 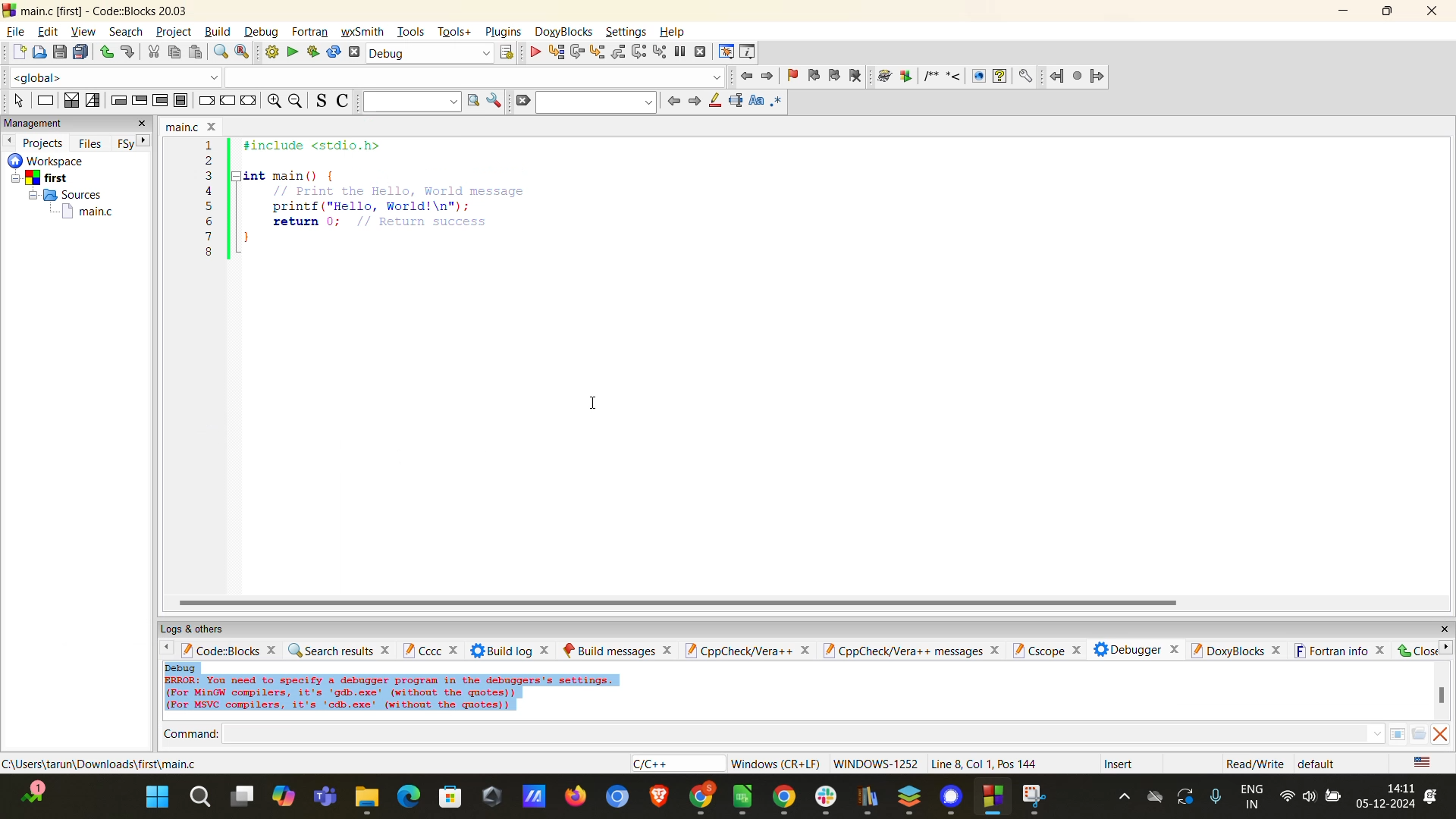 What do you see at coordinates (1439, 627) in the screenshot?
I see `close` at bounding box center [1439, 627].